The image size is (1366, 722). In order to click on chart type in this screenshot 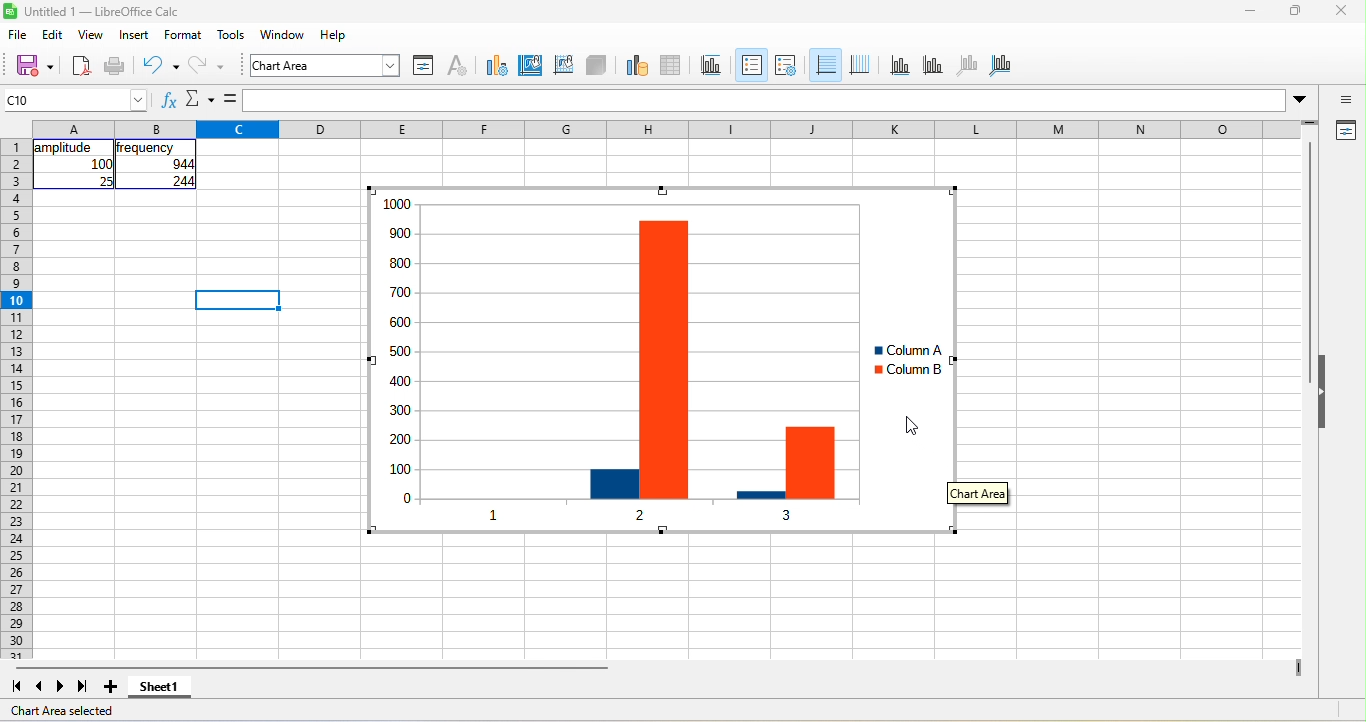, I will do `click(497, 66)`.